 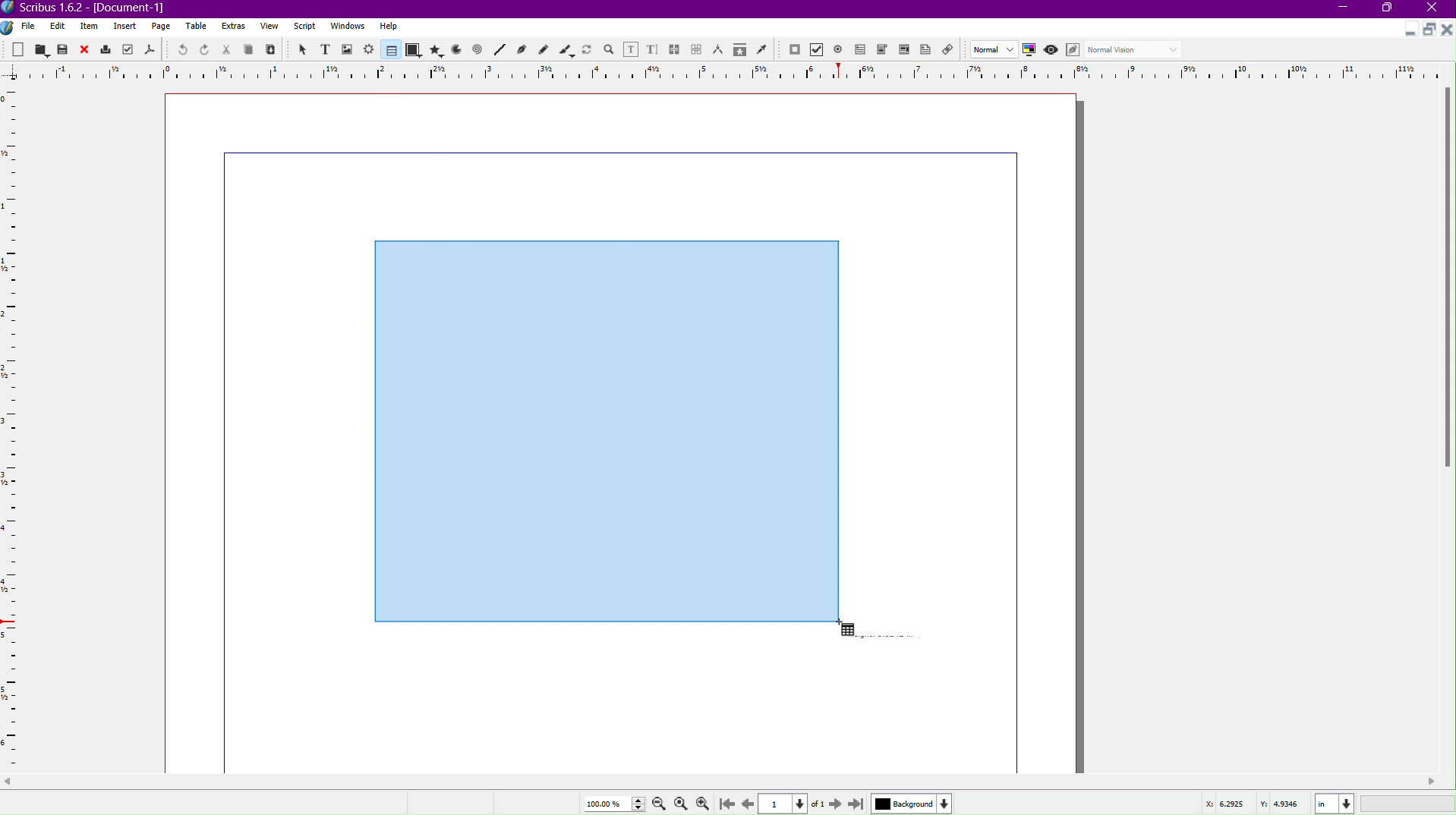 I want to click on Go to Previous Page, so click(x=747, y=801).